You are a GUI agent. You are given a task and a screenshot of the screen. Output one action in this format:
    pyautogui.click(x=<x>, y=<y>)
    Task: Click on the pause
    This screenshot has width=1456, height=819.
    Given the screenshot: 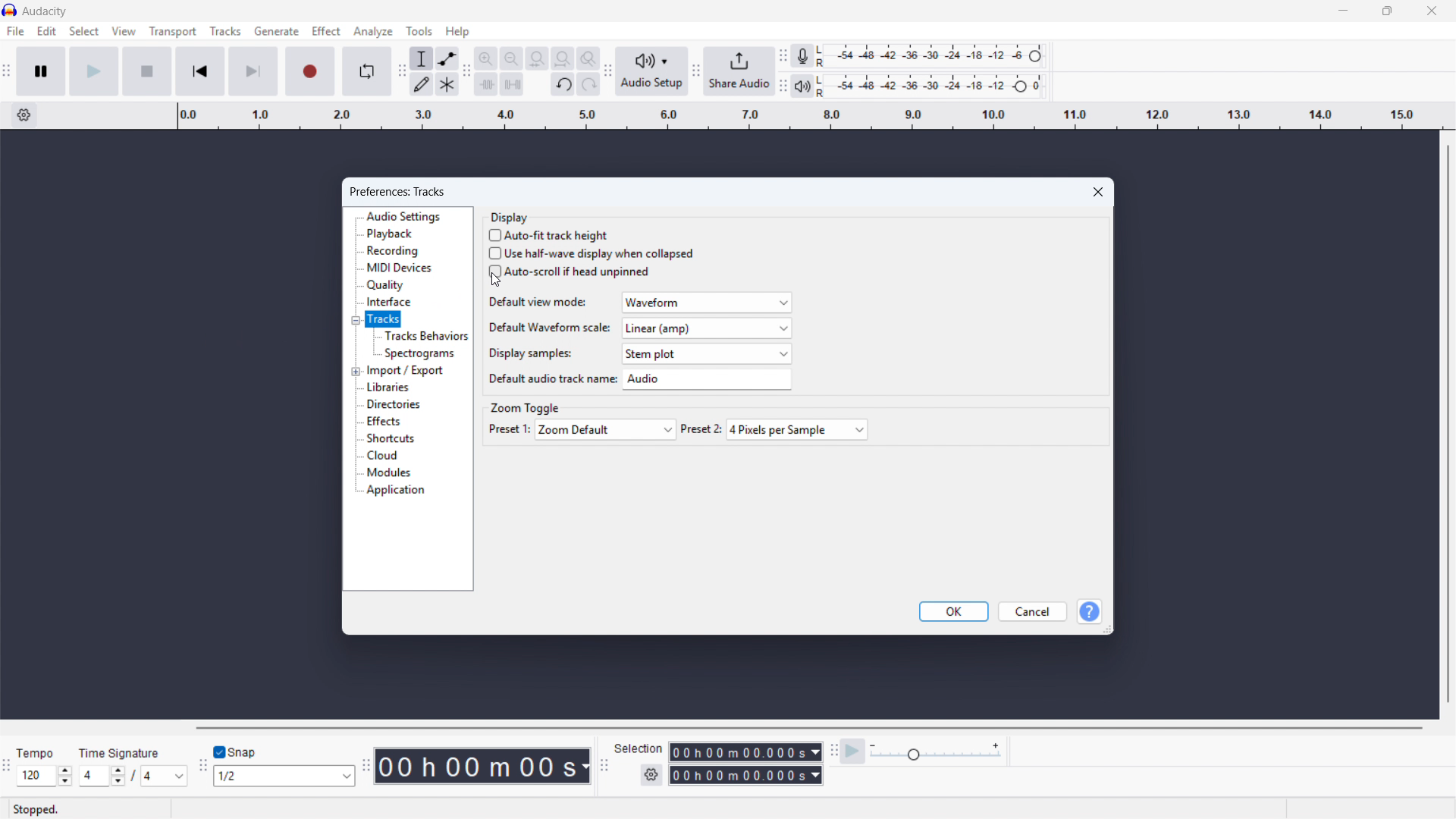 What is the action you would take?
    pyautogui.click(x=42, y=71)
    